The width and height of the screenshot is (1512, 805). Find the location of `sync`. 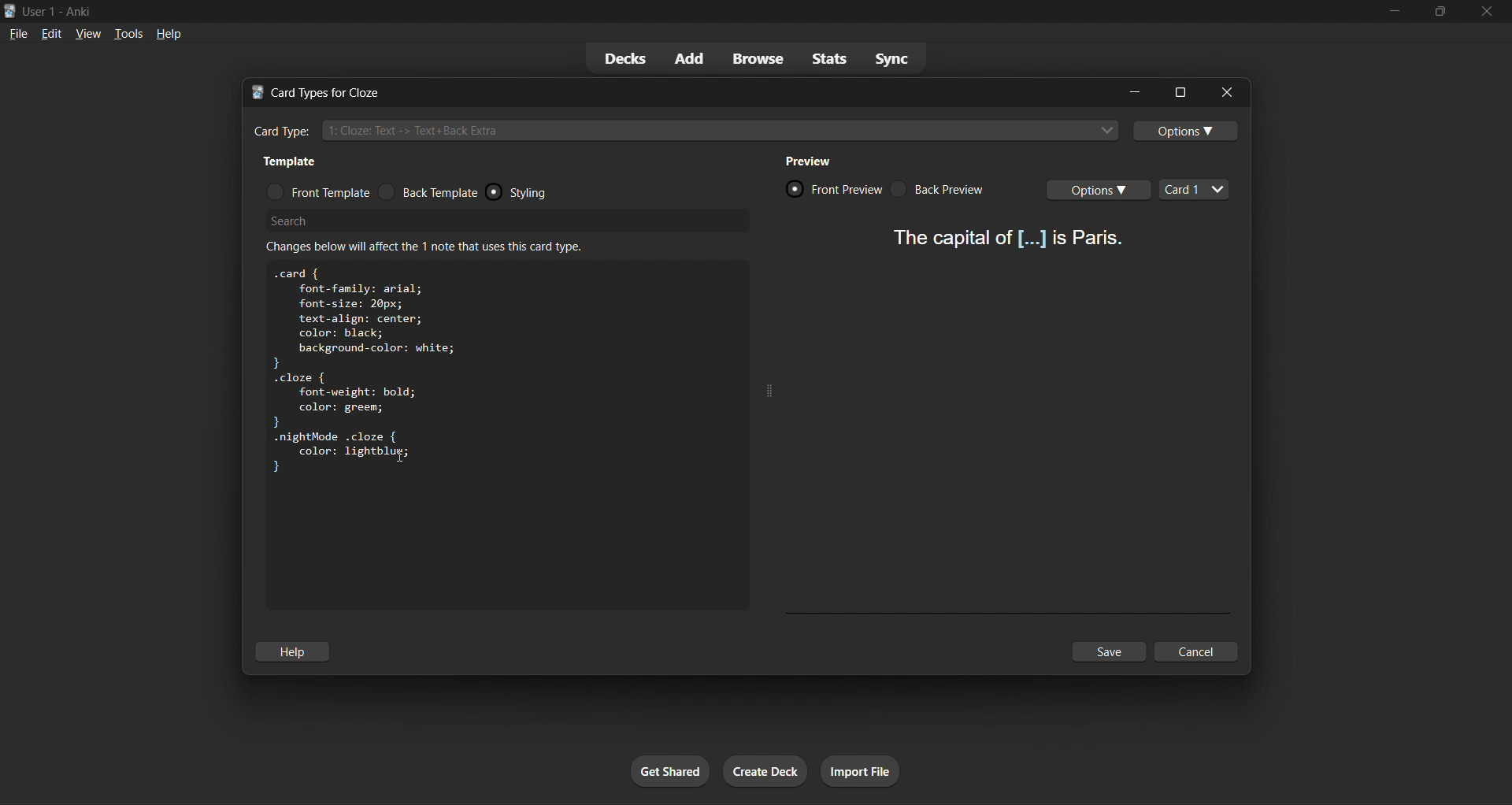

sync is located at coordinates (903, 57).